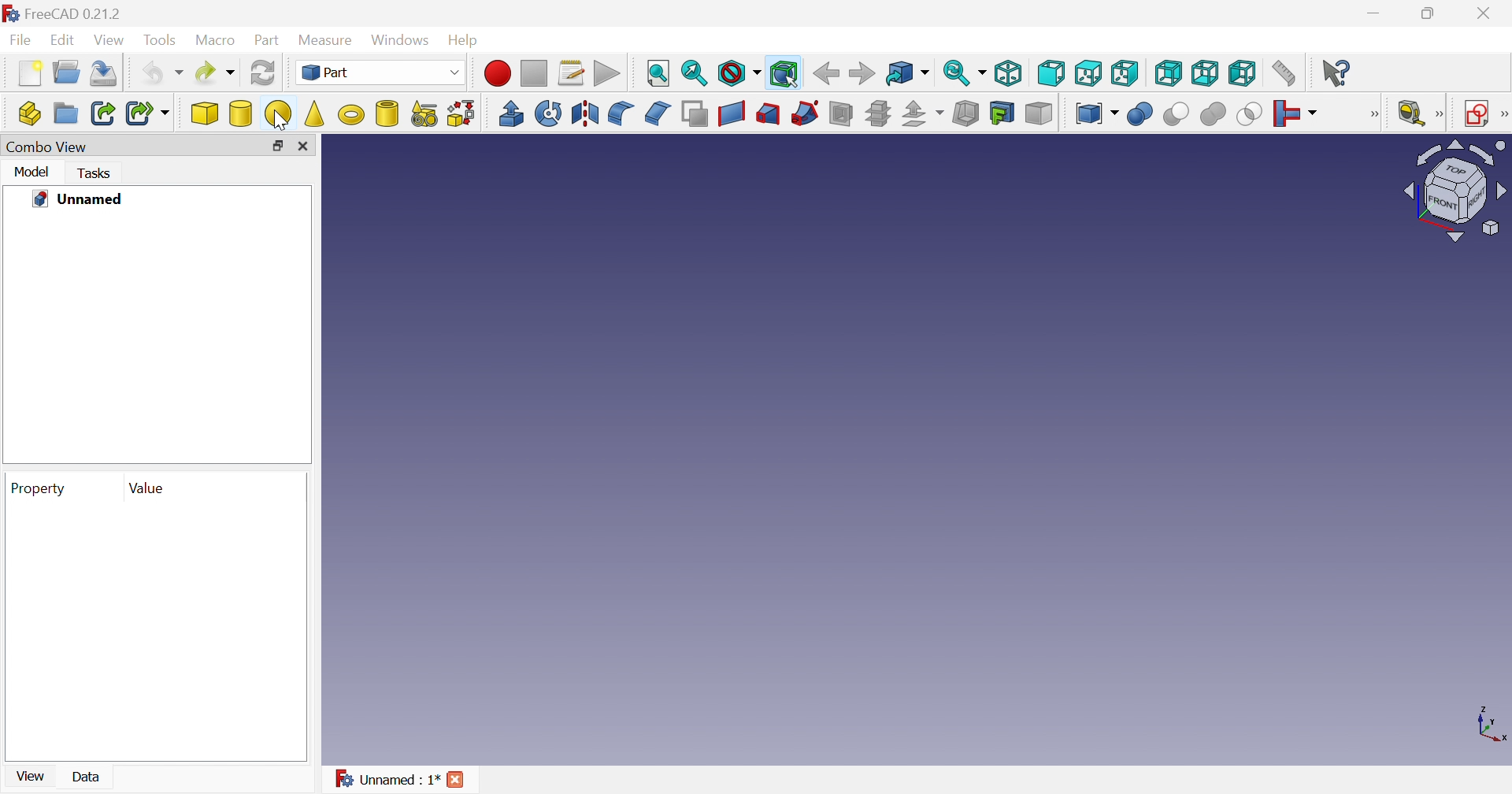 The width and height of the screenshot is (1512, 794). Describe the element at coordinates (424, 113) in the screenshot. I see `Create primitives...` at that location.